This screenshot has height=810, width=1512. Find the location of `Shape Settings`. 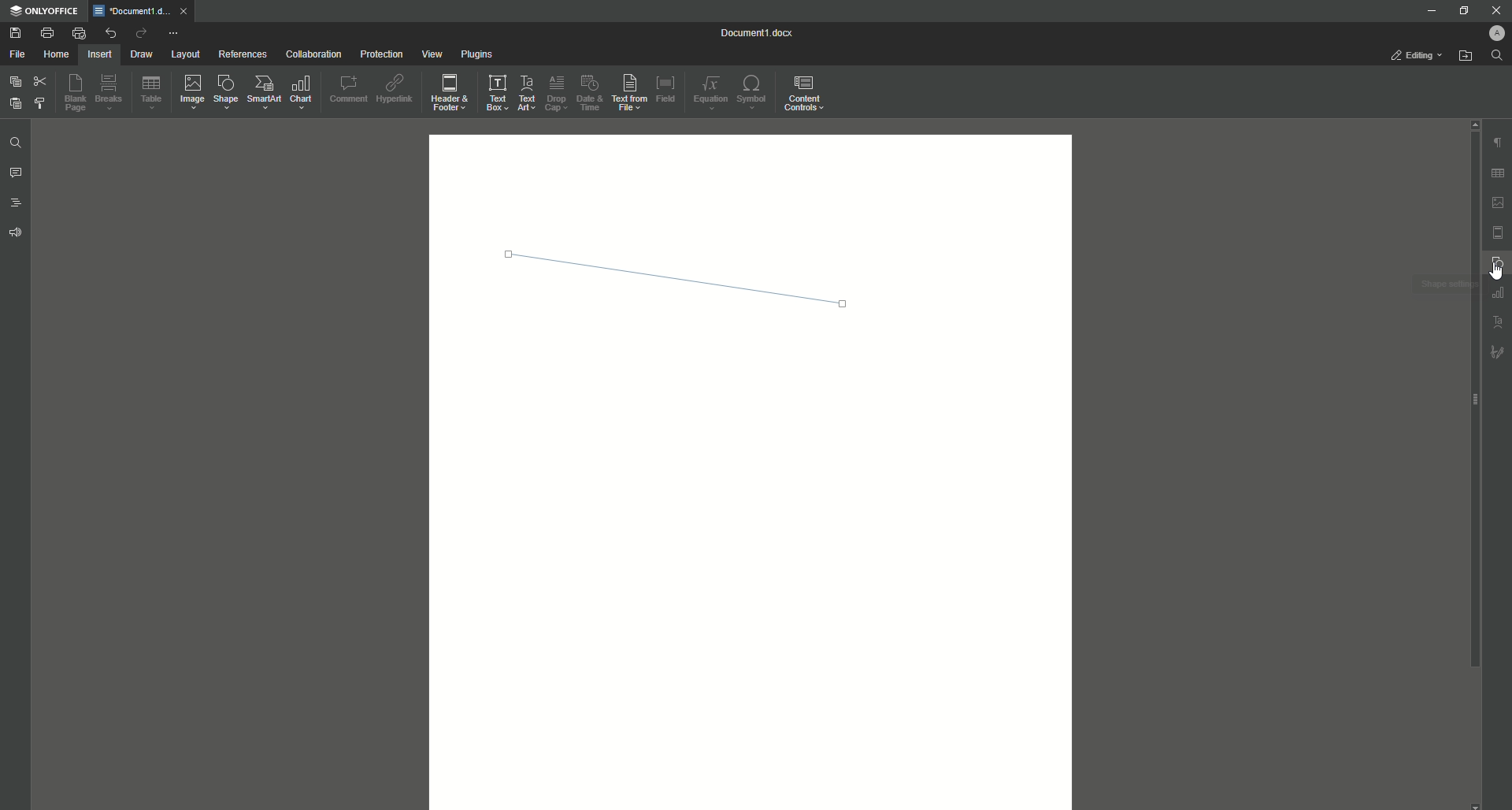

Shape Settings is located at coordinates (1496, 265).